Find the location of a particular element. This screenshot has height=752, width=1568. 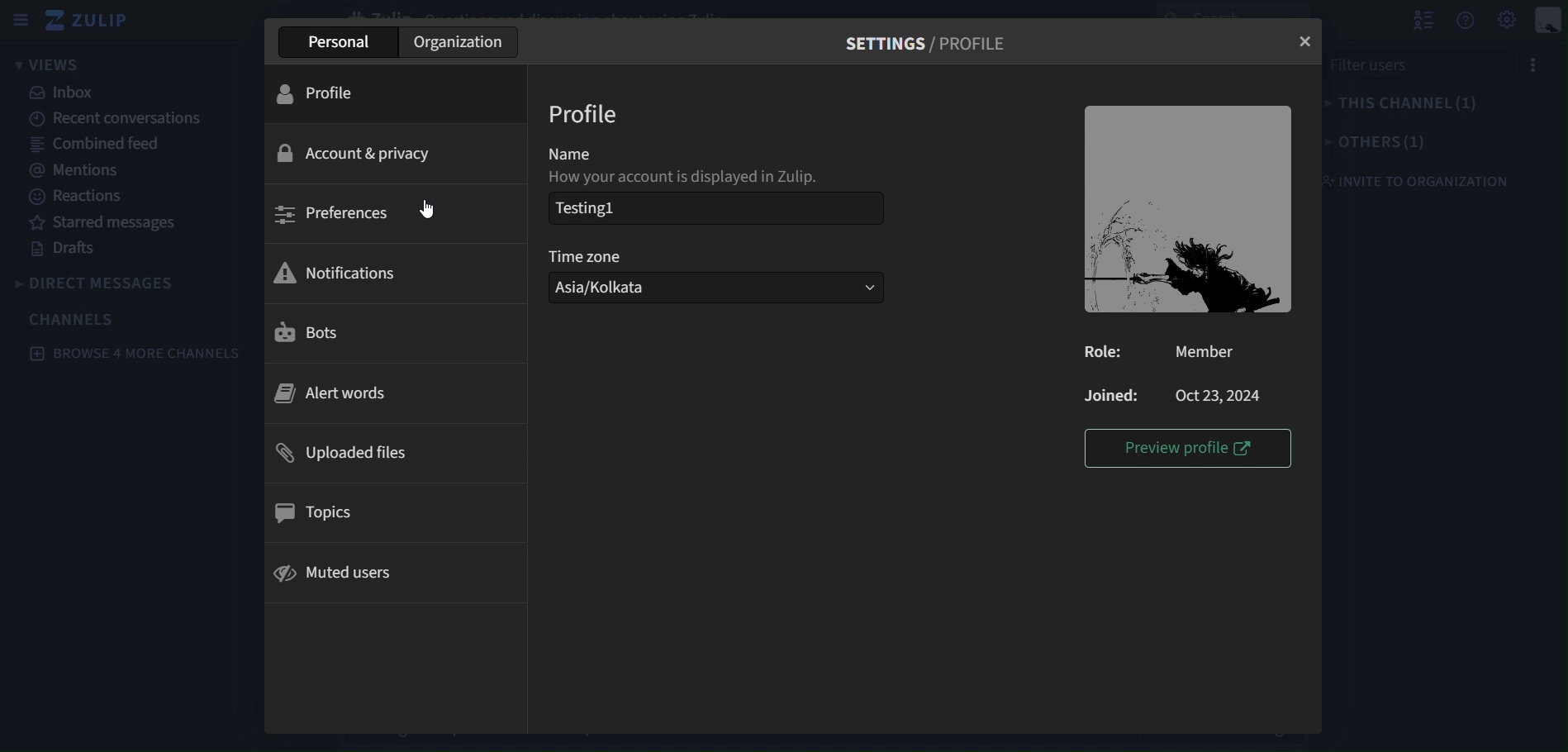

inbox is located at coordinates (62, 93).